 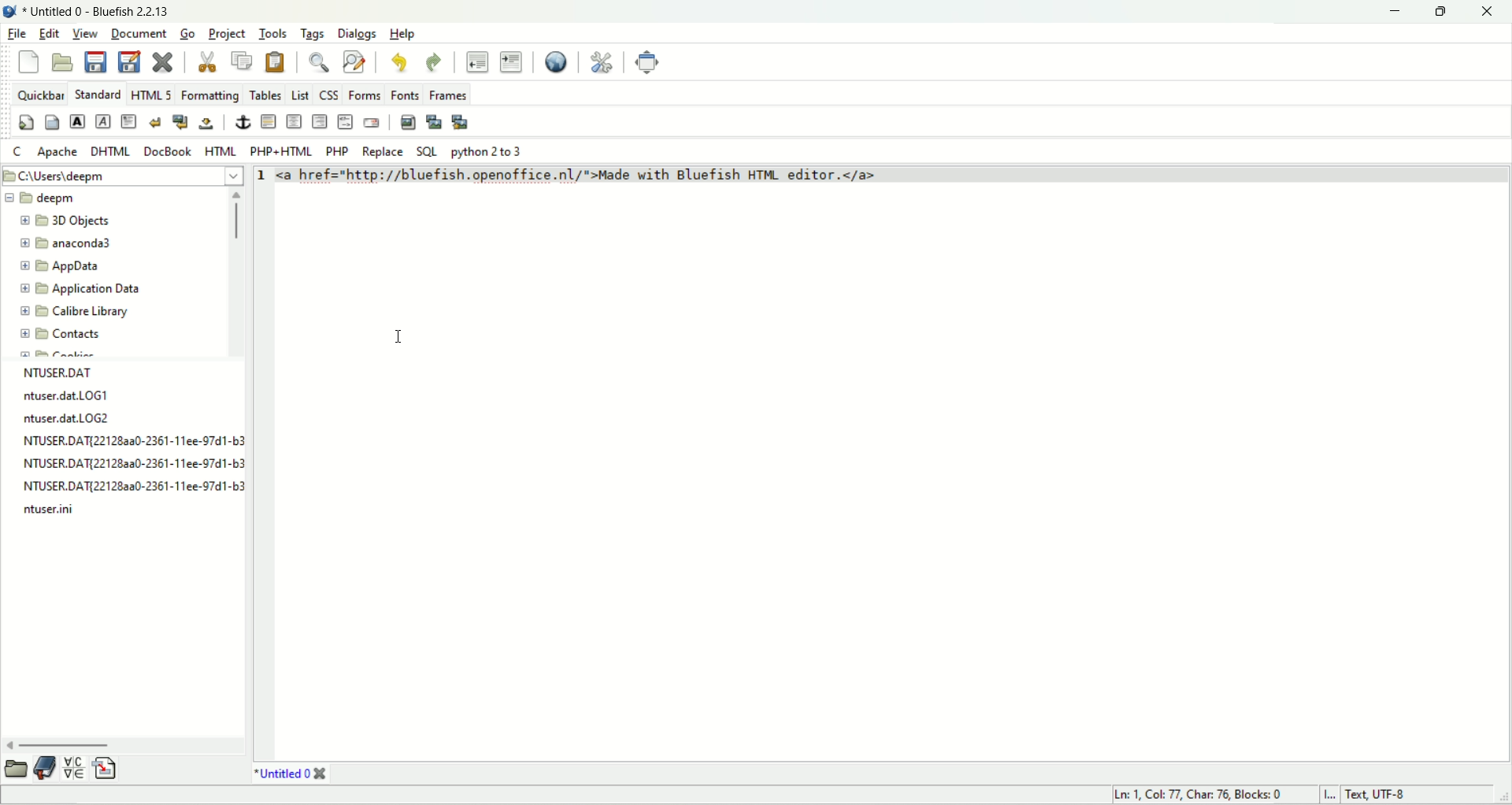 What do you see at coordinates (273, 61) in the screenshot?
I see `paste` at bounding box center [273, 61].